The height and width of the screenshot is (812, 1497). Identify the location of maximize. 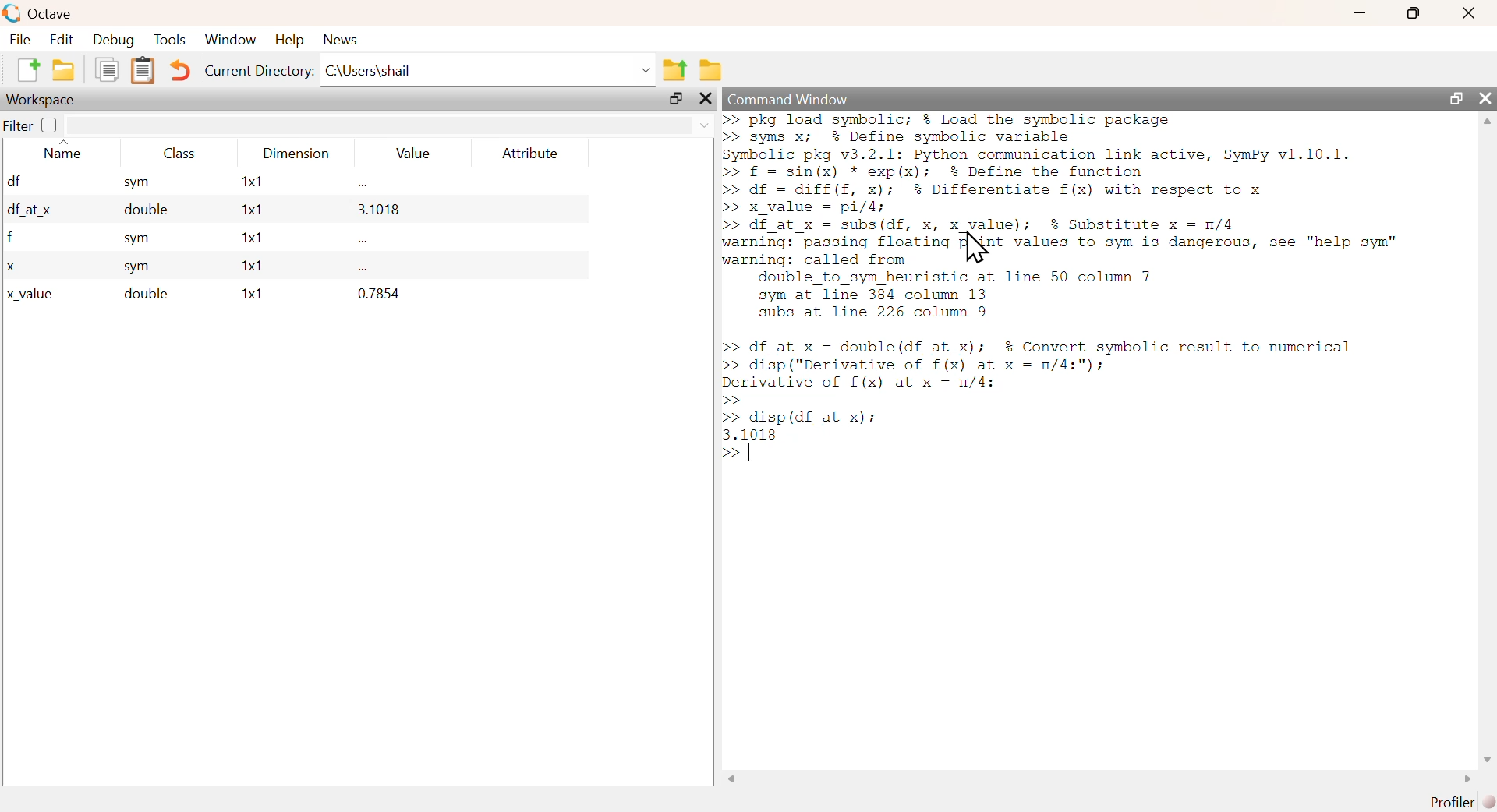
(1455, 97).